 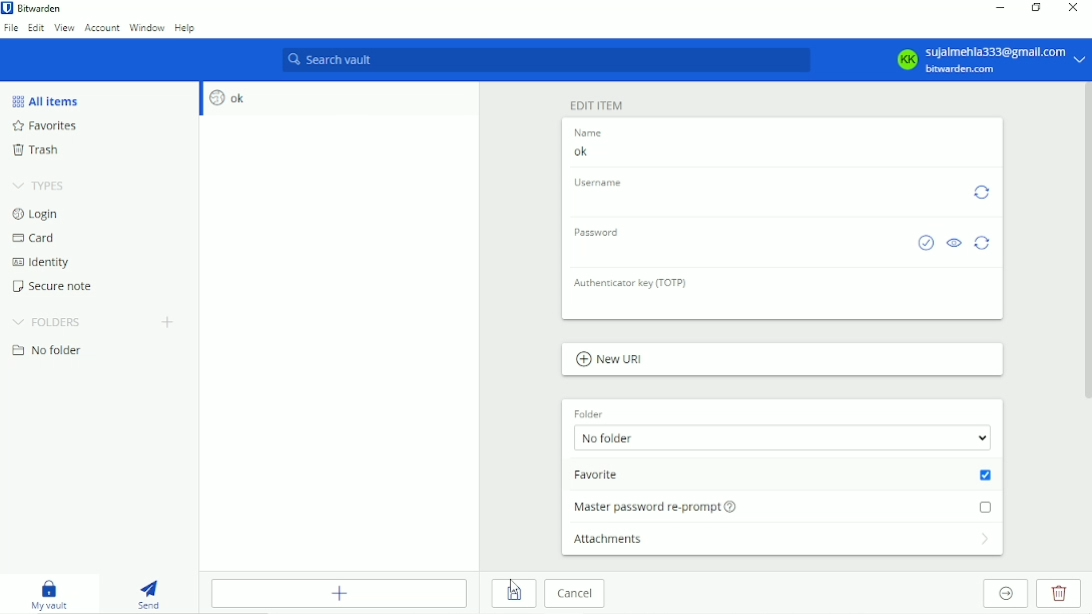 What do you see at coordinates (37, 214) in the screenshot?
I see `Login` at bounding box center [37, 214].